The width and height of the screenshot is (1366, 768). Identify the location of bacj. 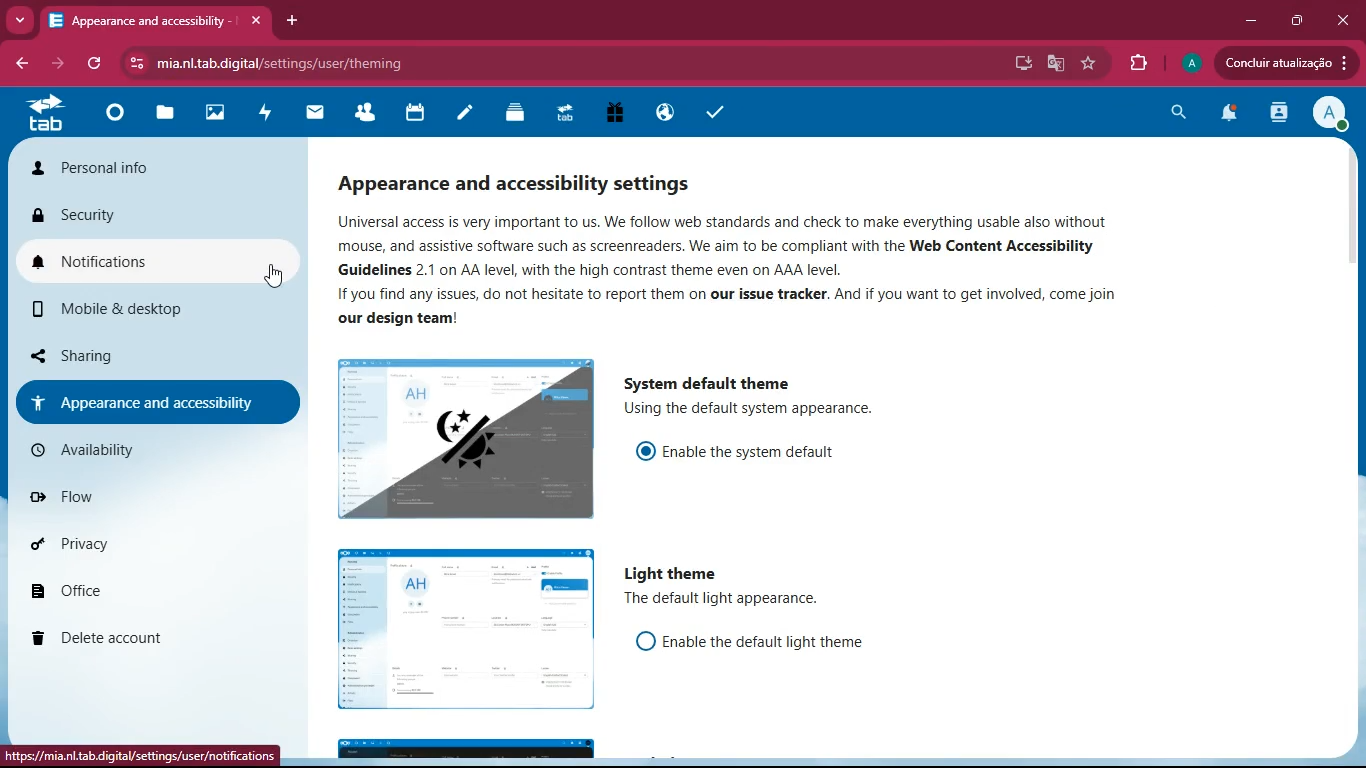
(20, 66).